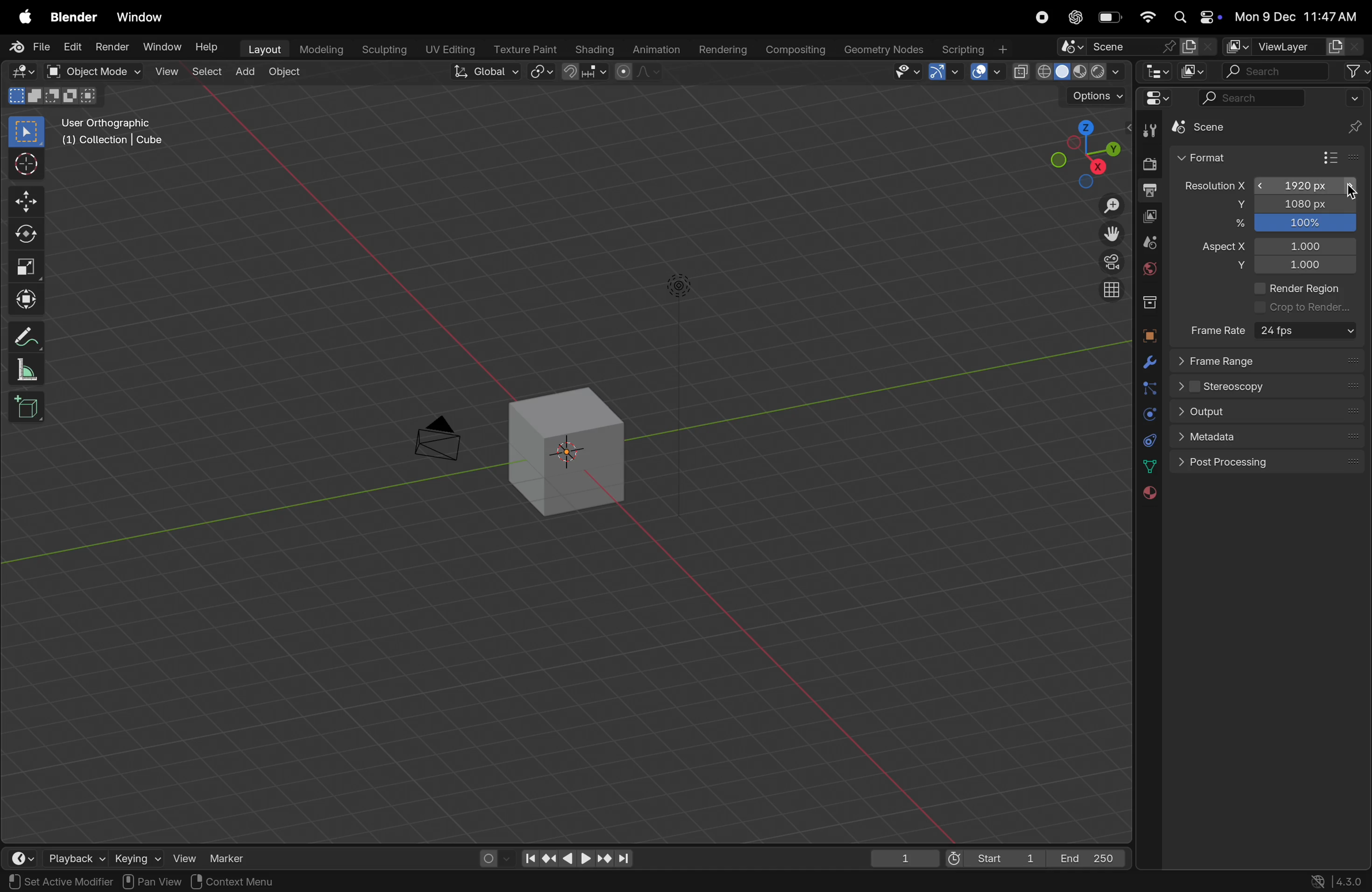 The height and width of the screenshot is (892, 1372). Describe the element at coordinates (26, 298) in the screenshot. I see `trasform` at that location.